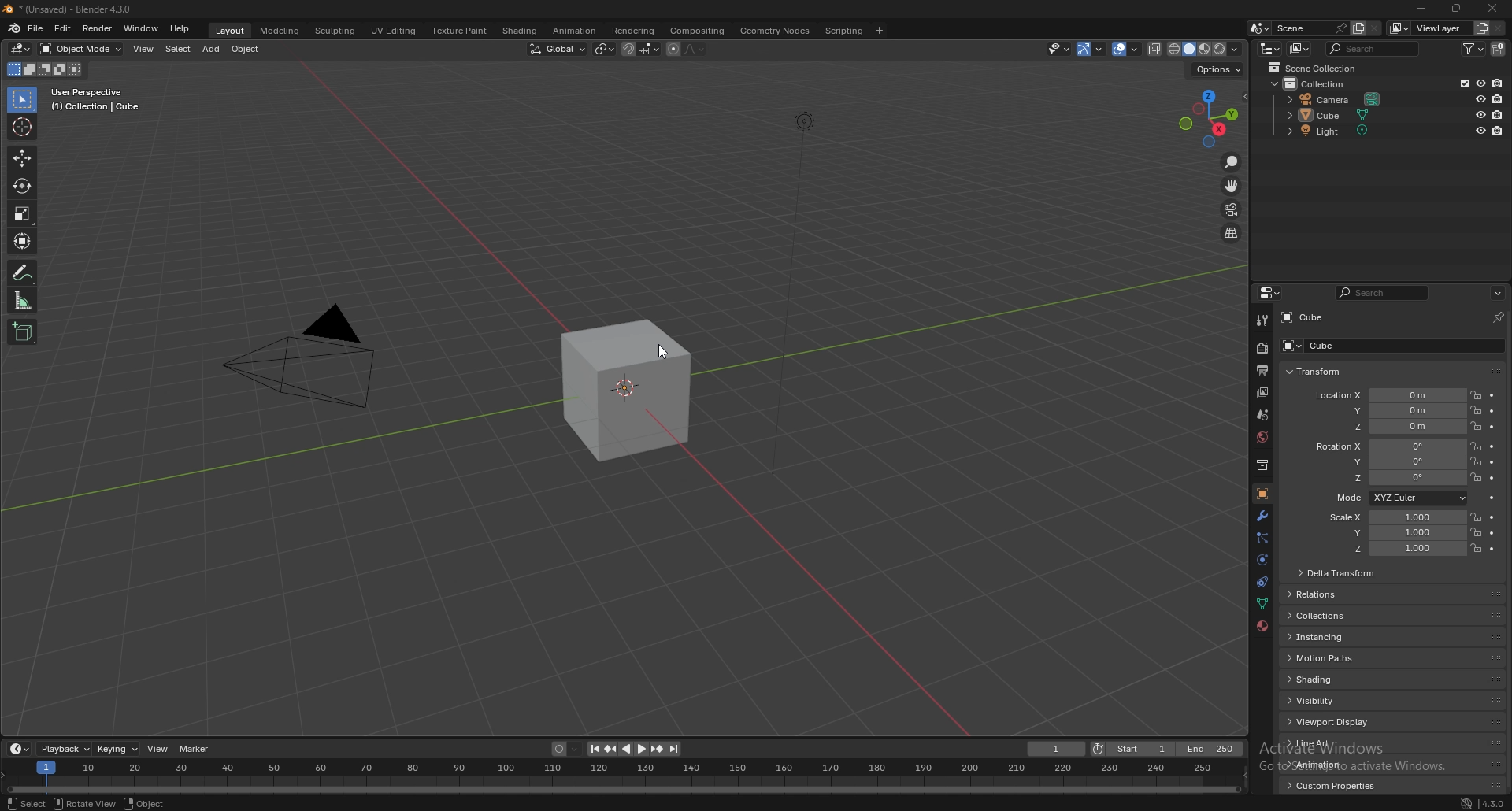 This screenshot has height=811, width=1512. I want to click on scale y, so click(1396, 533).